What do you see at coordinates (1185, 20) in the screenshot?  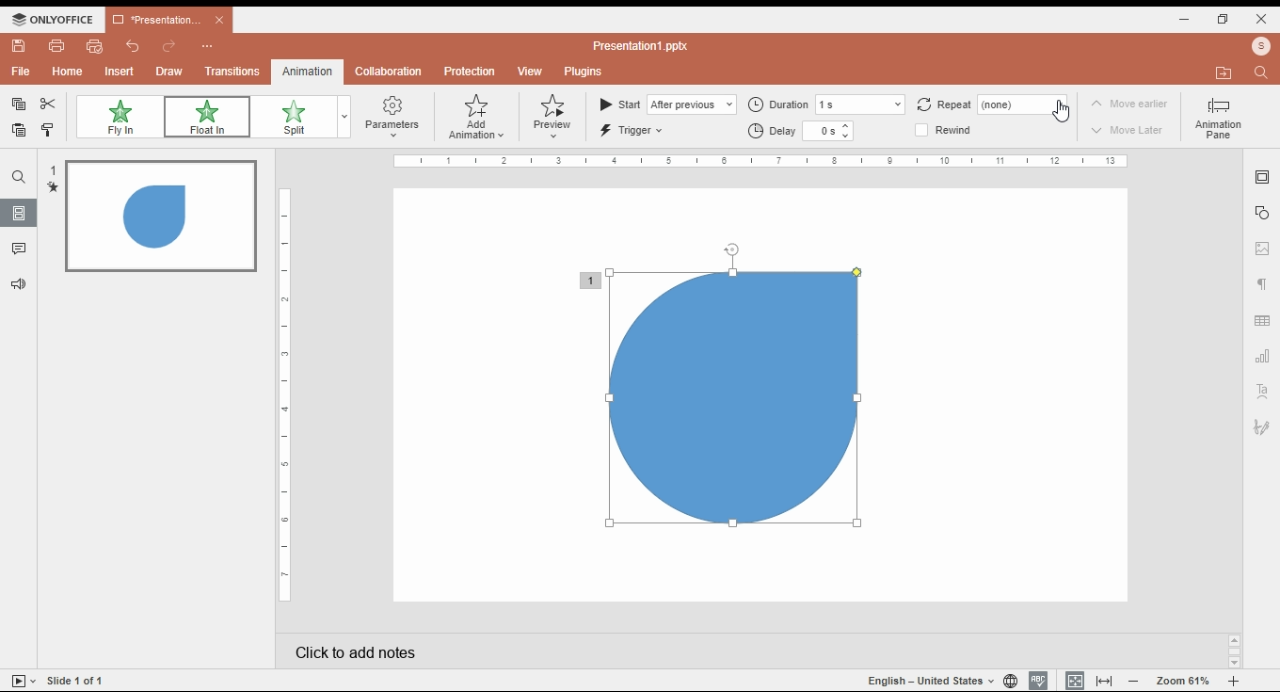 I see `minimize` at bounding box center [1185, 20].